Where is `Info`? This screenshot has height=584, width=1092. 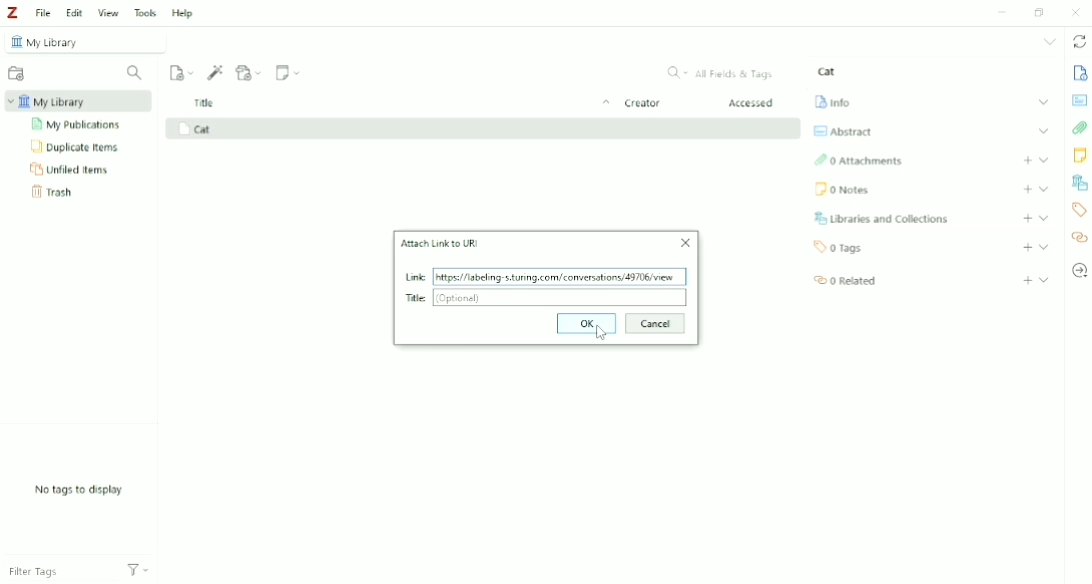
Info is located at coordinates (1079, 72).